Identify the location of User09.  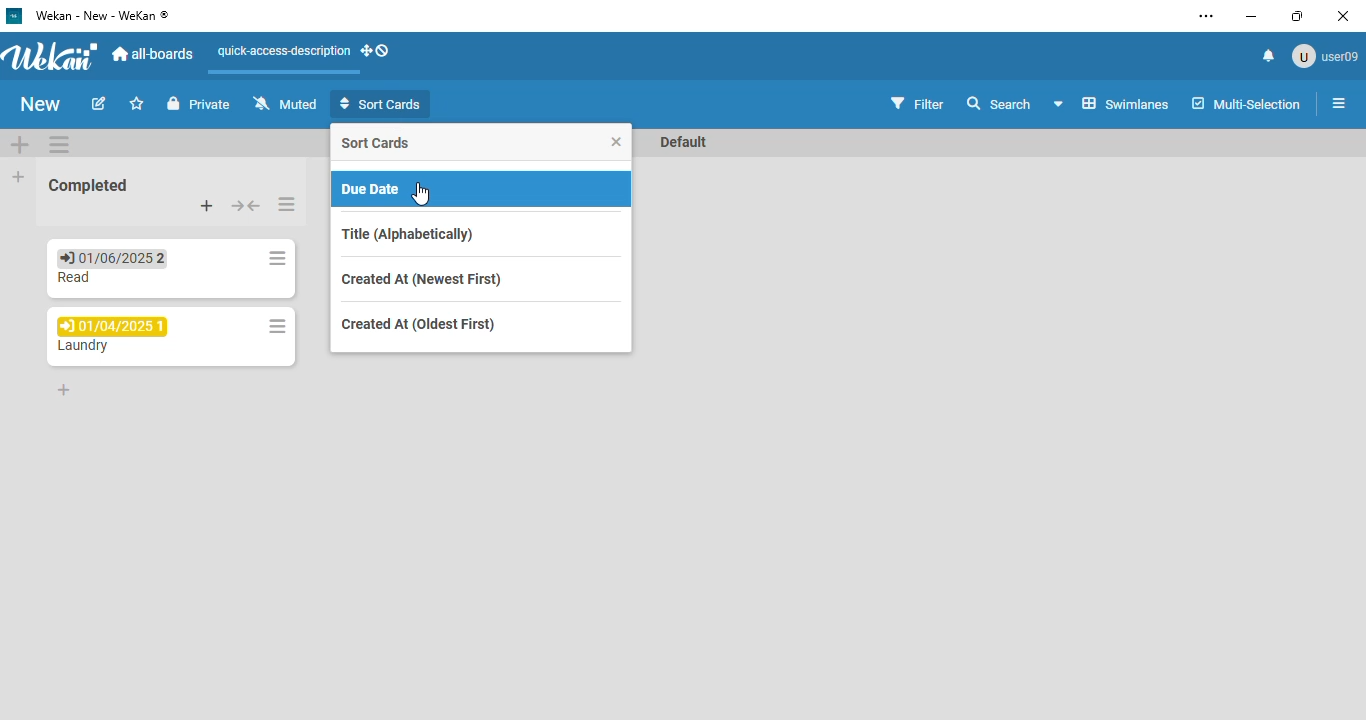
(1324, 56).